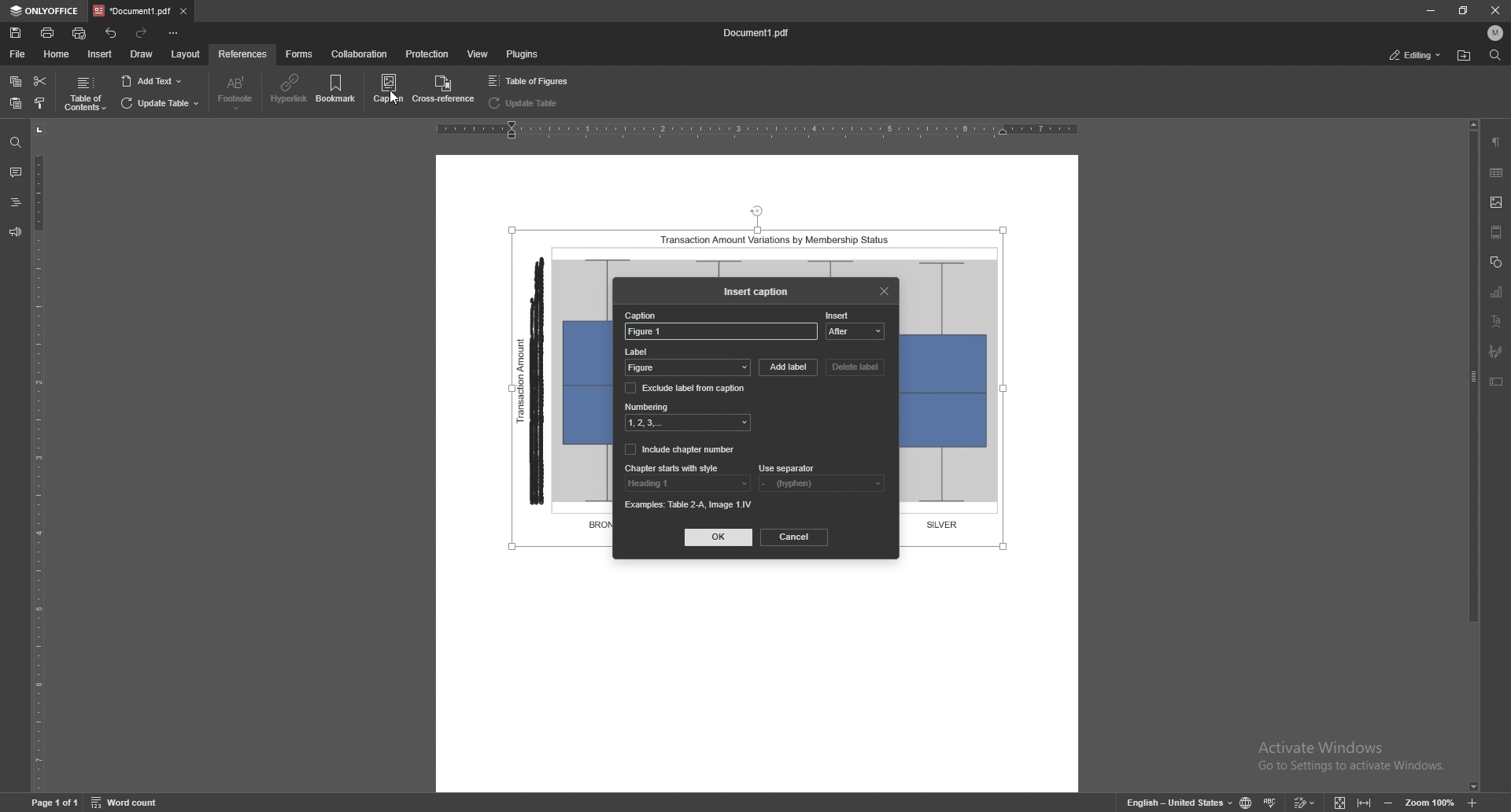 Image resolution: width=1511 pixels, height=812 pixels. Describe the element at coordinates (1497, 172) in the screenshot. I see `table` at that location.